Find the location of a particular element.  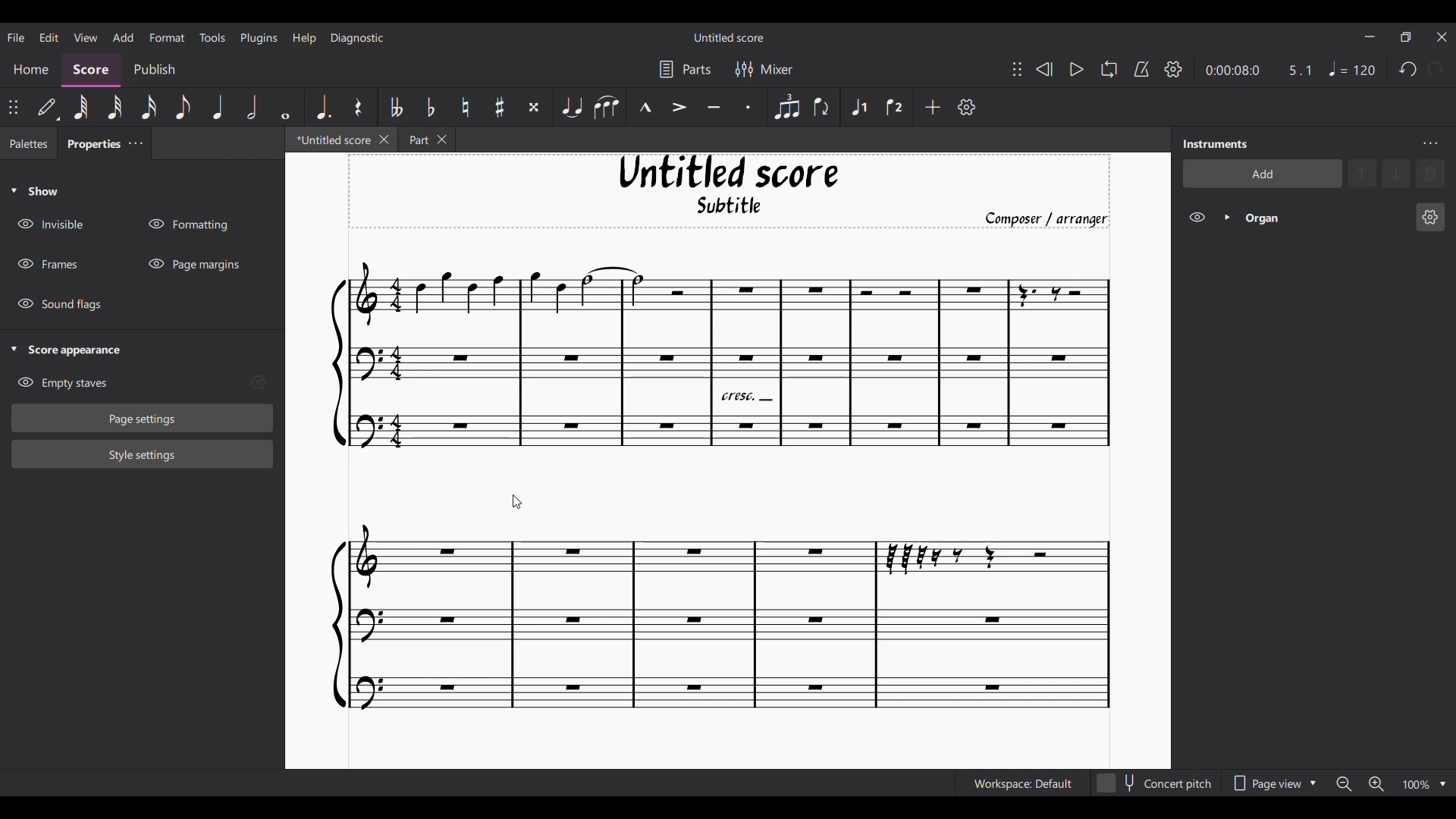

Metronome is located at coordinates (1141, 69).